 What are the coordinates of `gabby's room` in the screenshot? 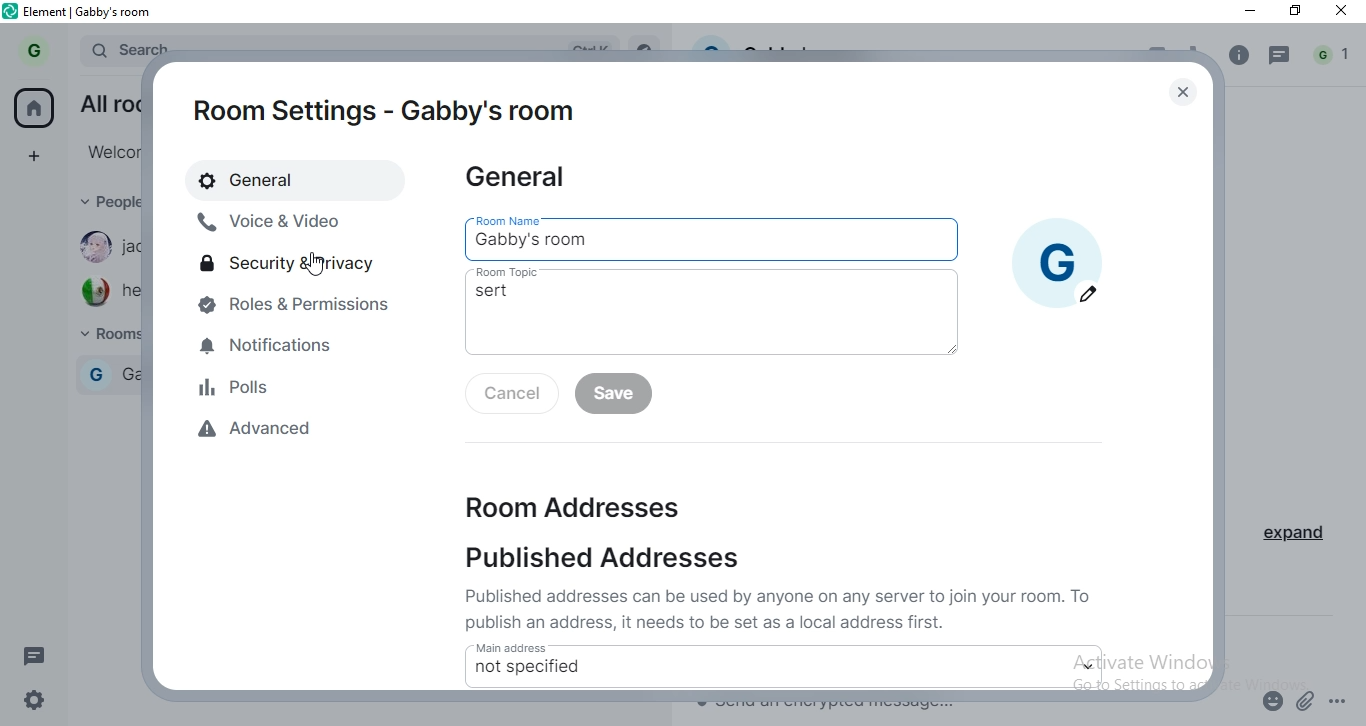 It's located at (531, 243).